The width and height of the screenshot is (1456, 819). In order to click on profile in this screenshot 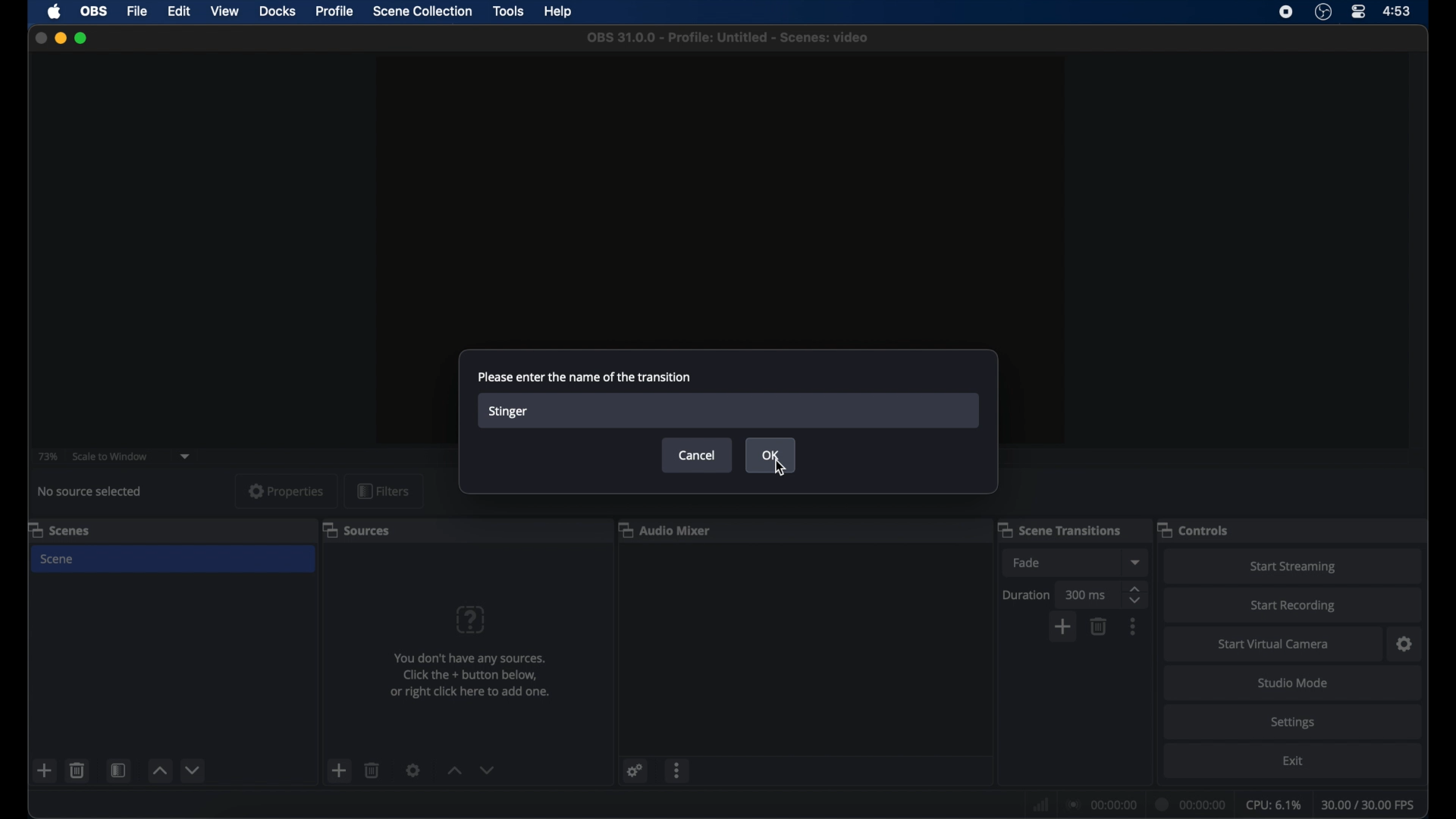, I will do `click(333, 11)`.